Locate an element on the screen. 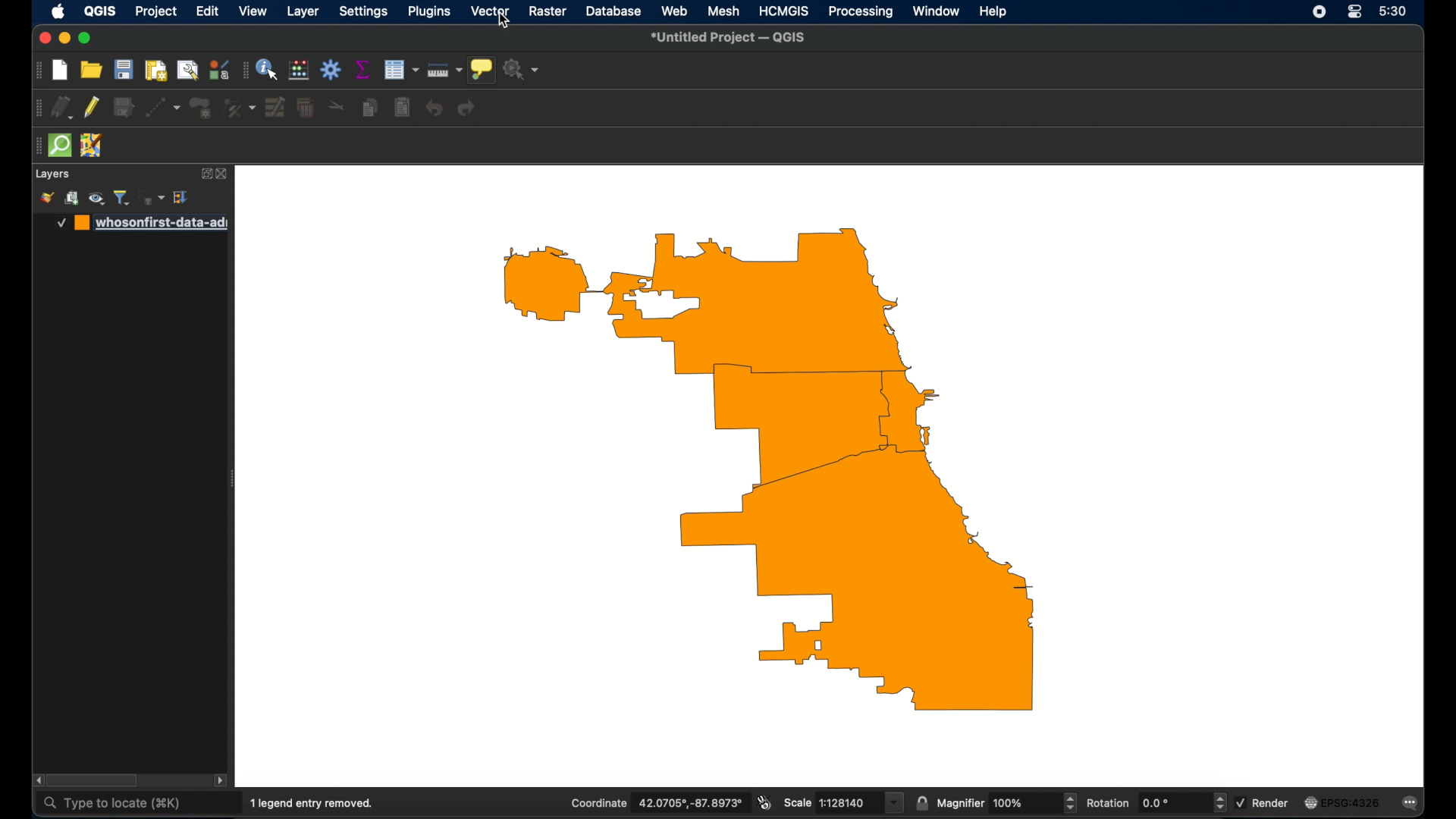 The width and height of the screenshot is (1456, 819). screen recorder icon is located at coordinates (1319, 12).